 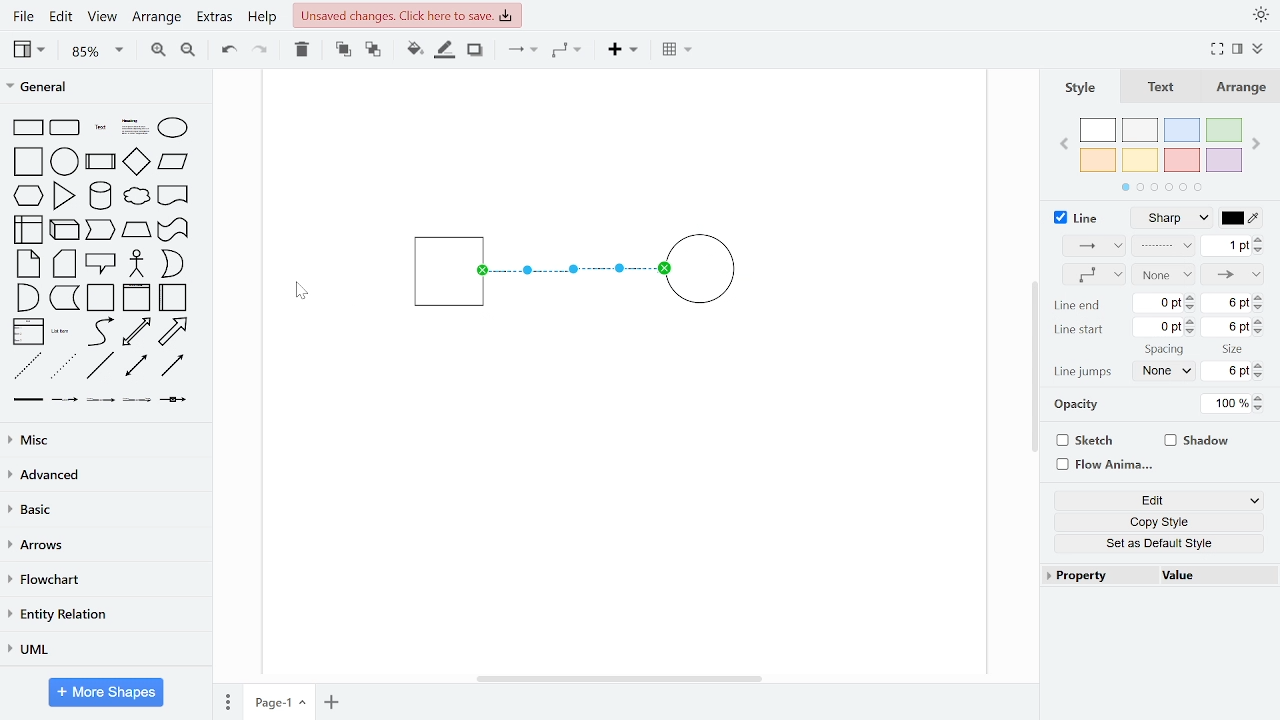 What do you see at coordinates (171, 230) in the screenshot?
I see `tape` at bounding box center [171, 230].